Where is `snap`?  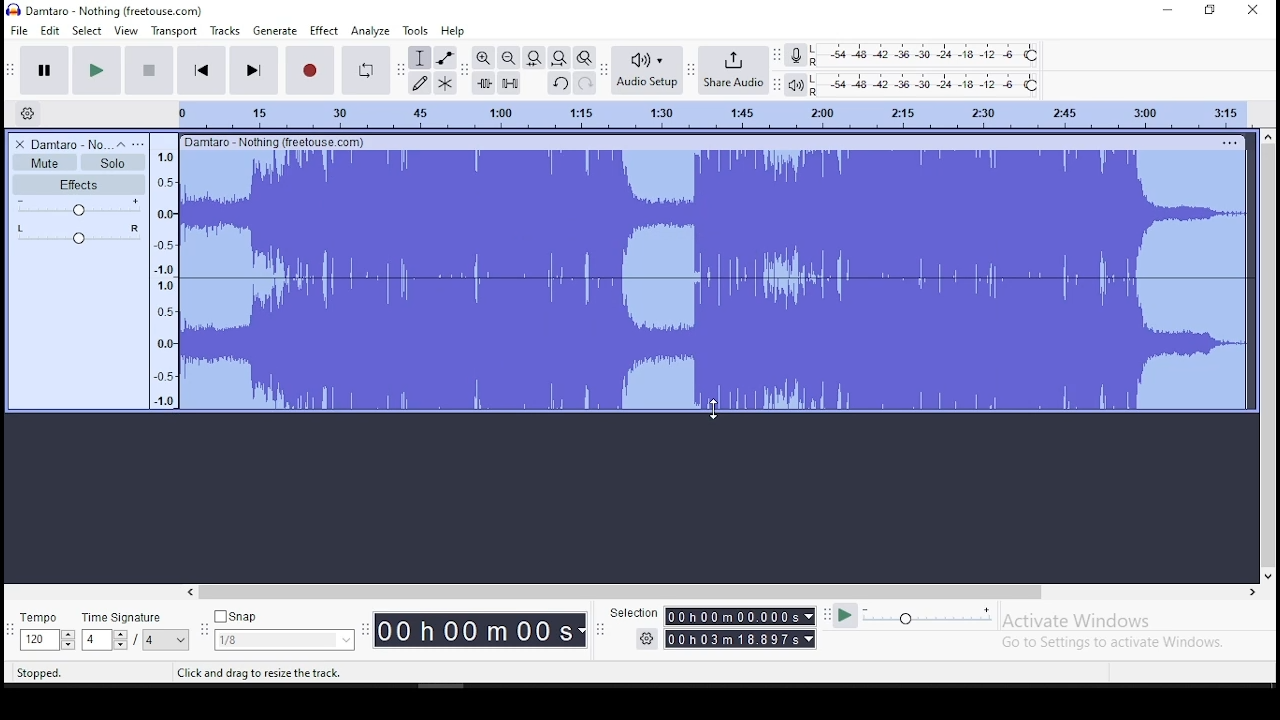
snap is located at coordinates (285, 615).